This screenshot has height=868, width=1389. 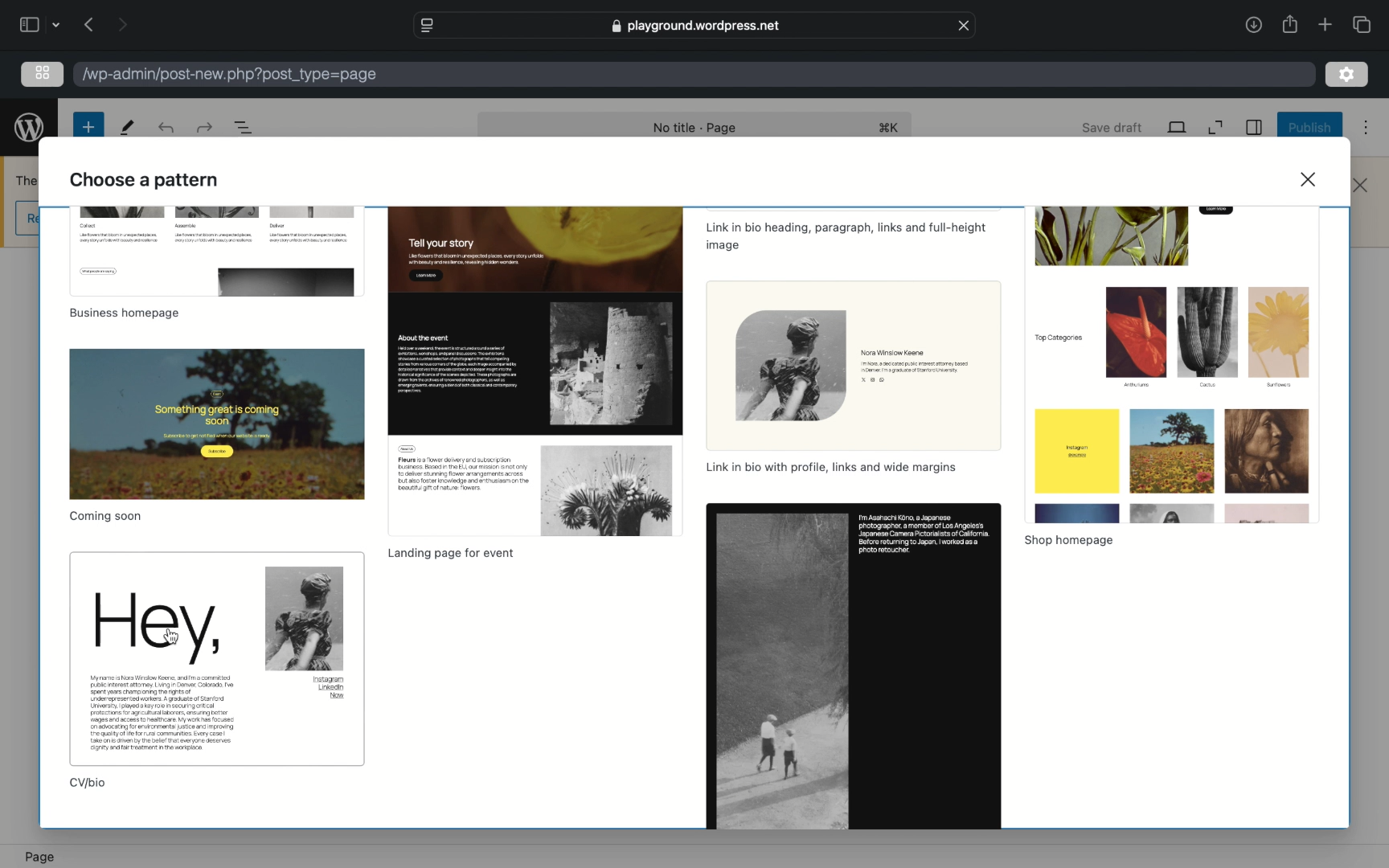 What do you see at coordinates (122, 24) in the screenshot?
I see `next page` at bounding box center [122, 24].